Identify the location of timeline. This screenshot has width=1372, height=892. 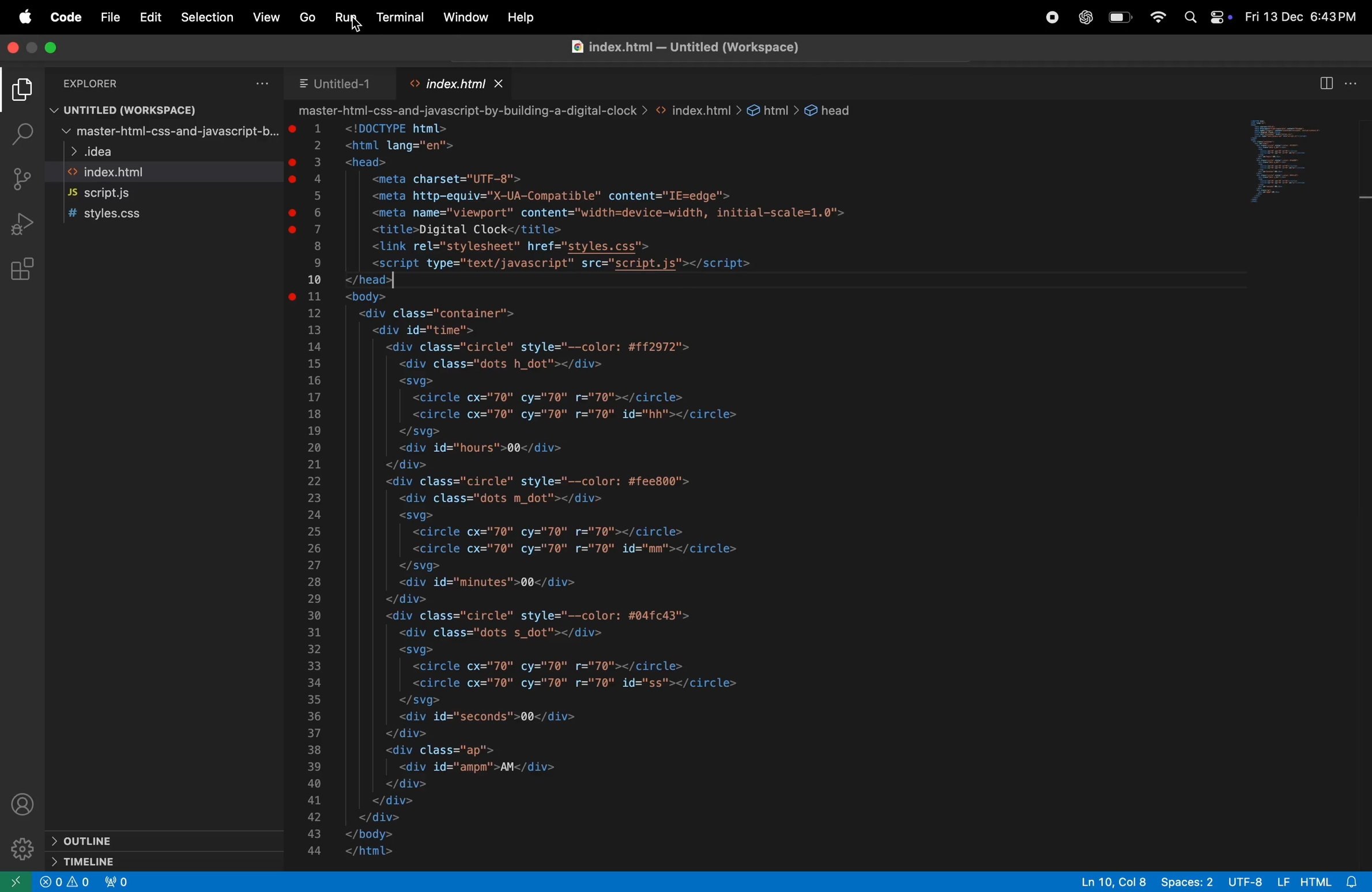
(138, 861).